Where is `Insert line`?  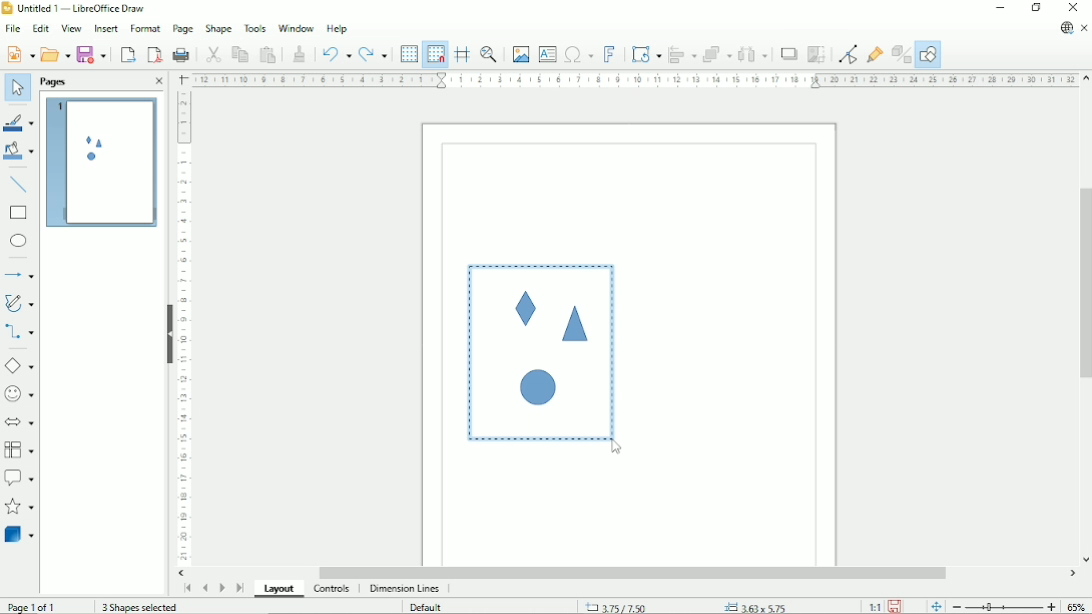 Insert line is located at coordinates (19, 184).